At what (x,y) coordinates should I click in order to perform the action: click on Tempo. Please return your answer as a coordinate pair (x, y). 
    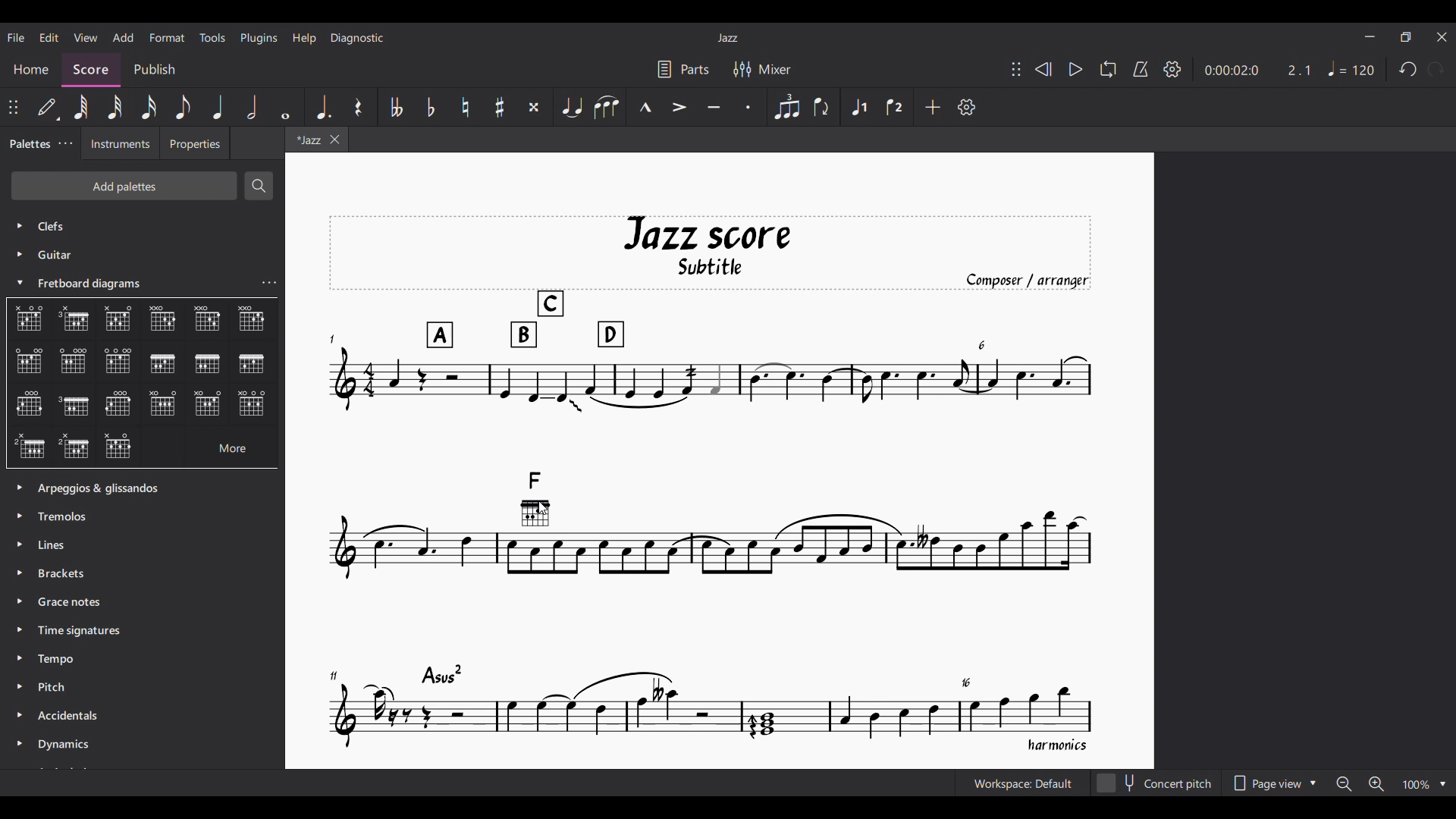
    Looking at the image, I should click on (1351, 68).